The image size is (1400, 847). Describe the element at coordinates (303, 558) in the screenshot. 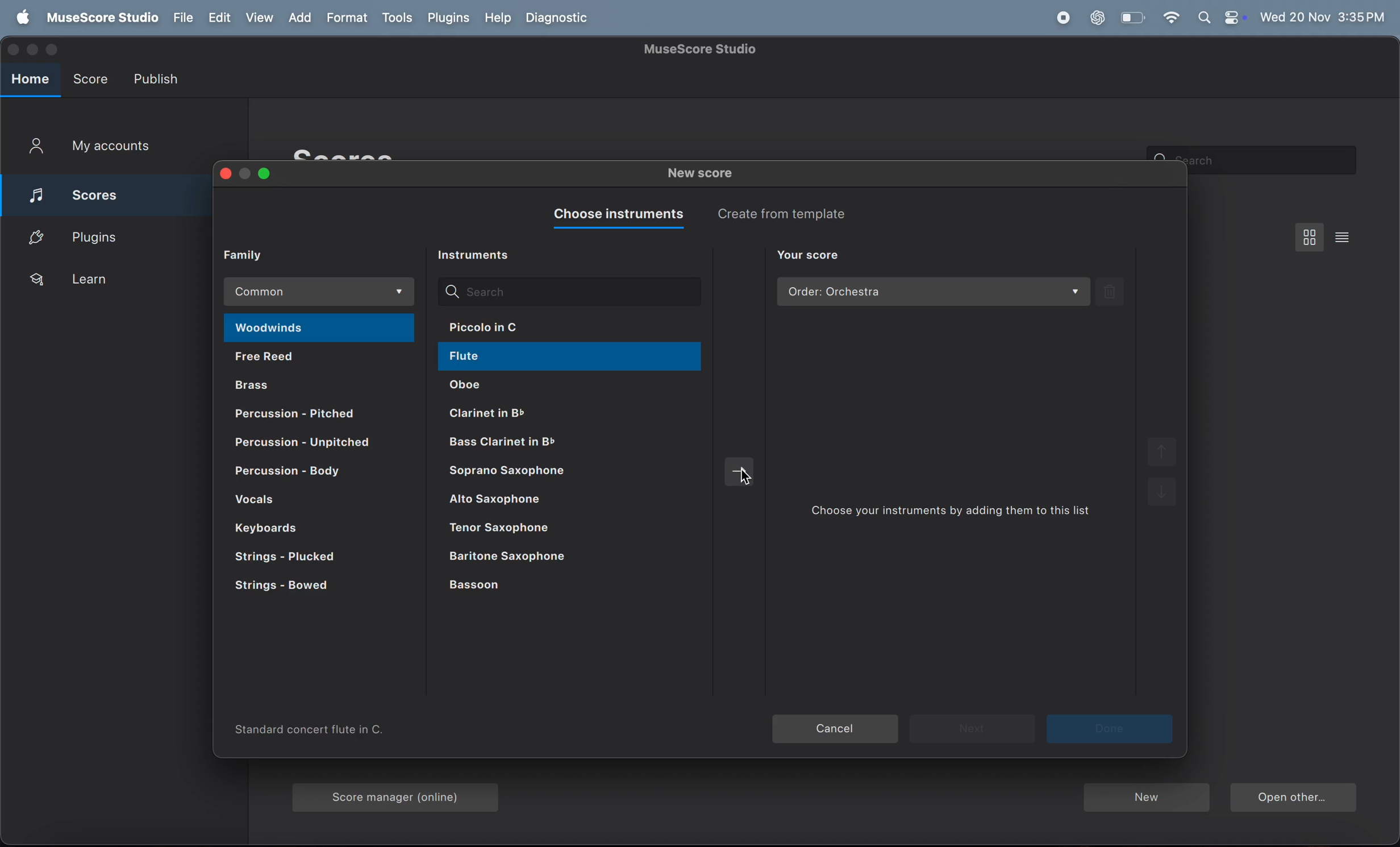

I see `strings plucked` at that location.